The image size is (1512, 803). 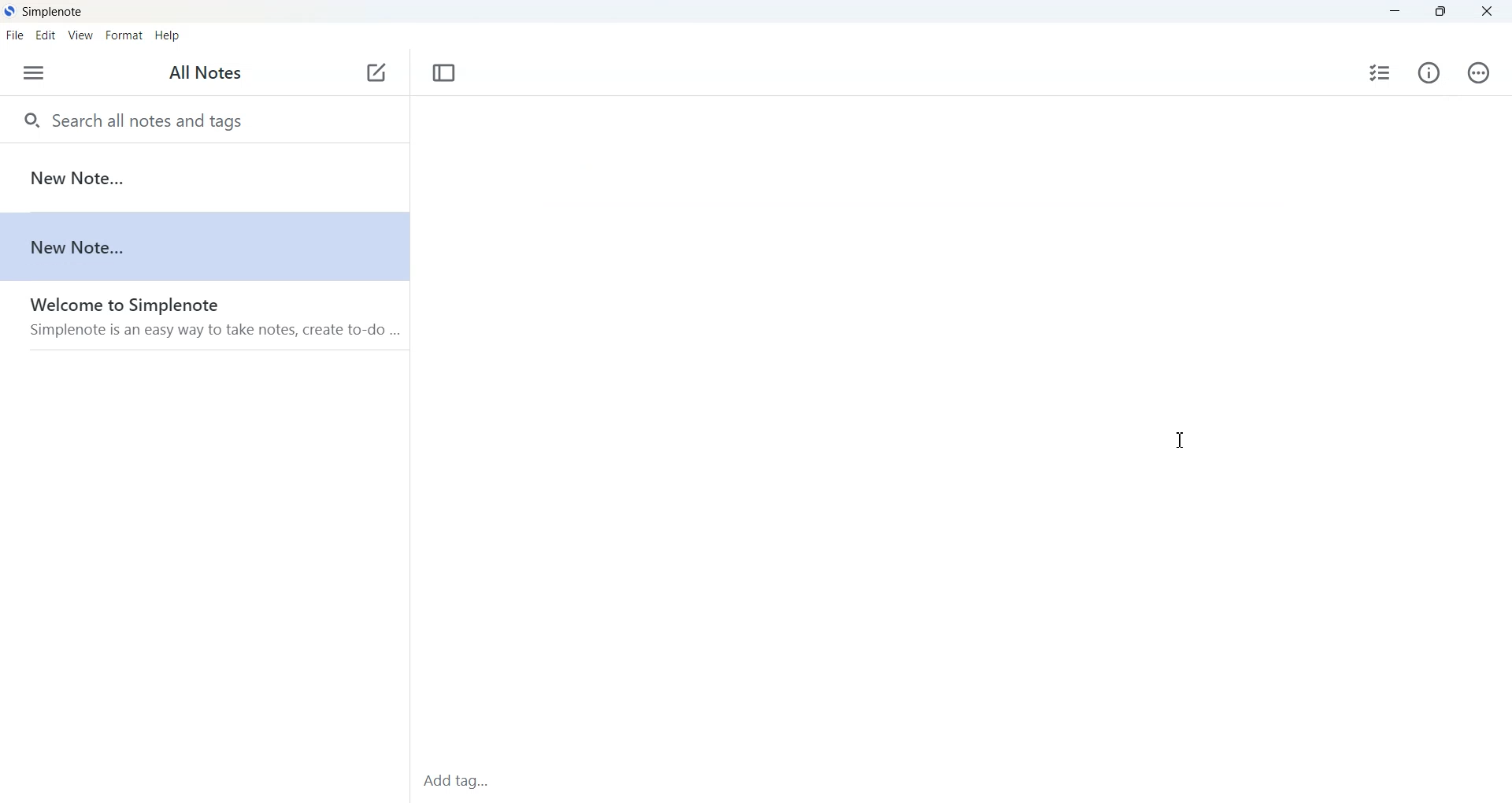 I want to click on Actions, so click(x=1479, y=72).